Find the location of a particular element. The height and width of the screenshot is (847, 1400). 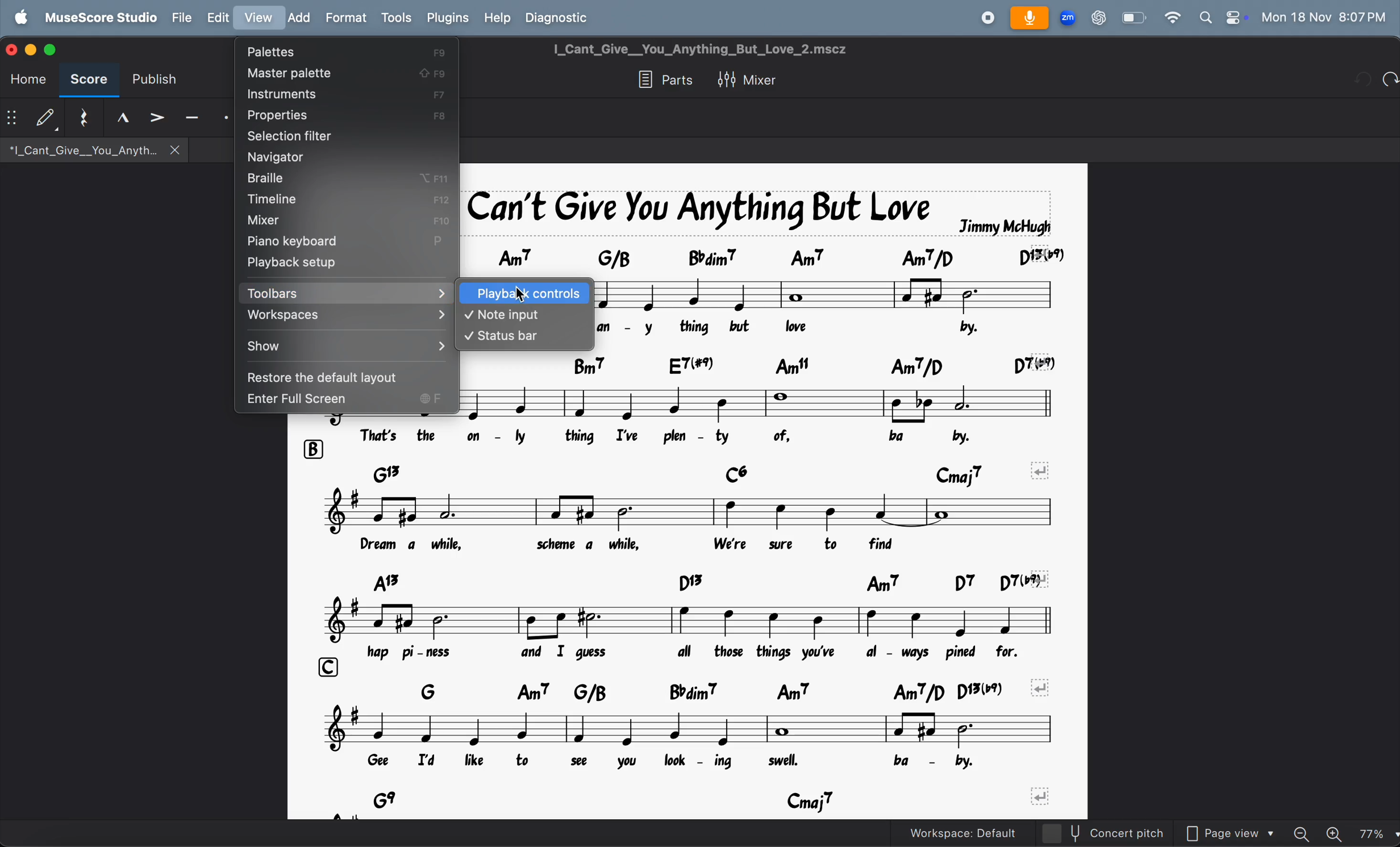

restore to default is located at coordinates (343, 377).